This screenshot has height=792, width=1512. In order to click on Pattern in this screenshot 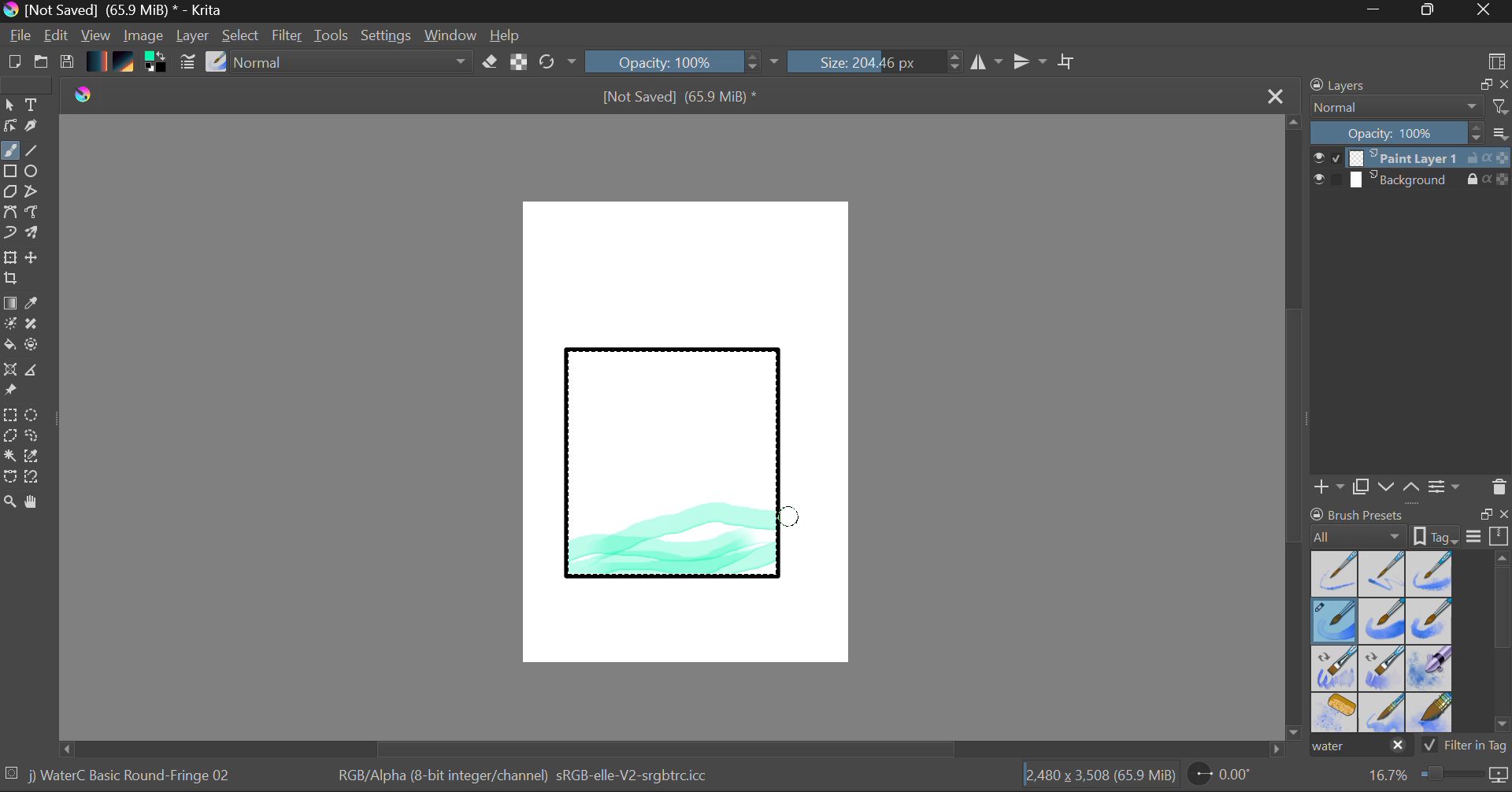, I will do `click(126, 63)`.